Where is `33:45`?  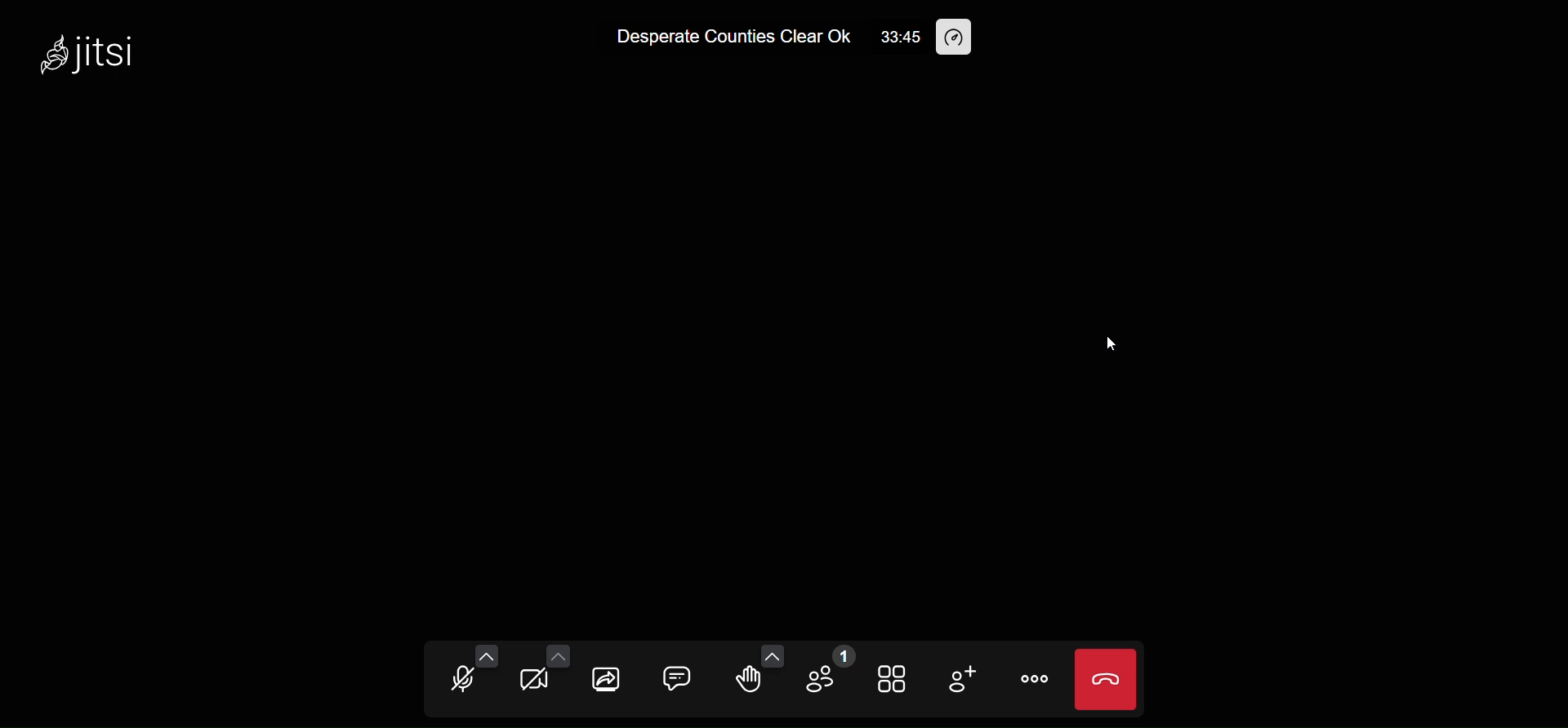
33:45 is located at coordinates (901, 37).